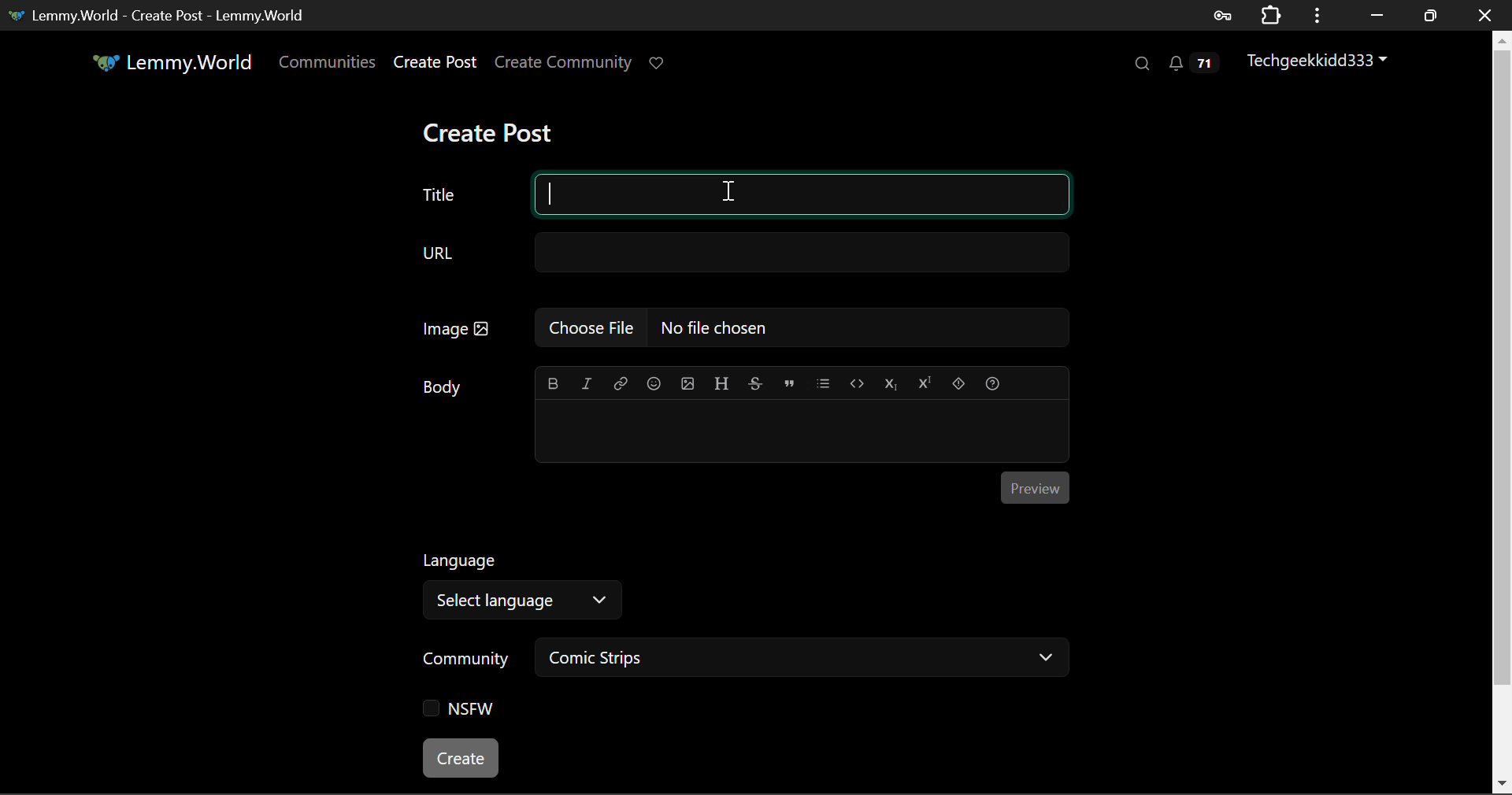 The height and width of the screenshot is (795, 1512). I want to click on header, so click(721, 381).